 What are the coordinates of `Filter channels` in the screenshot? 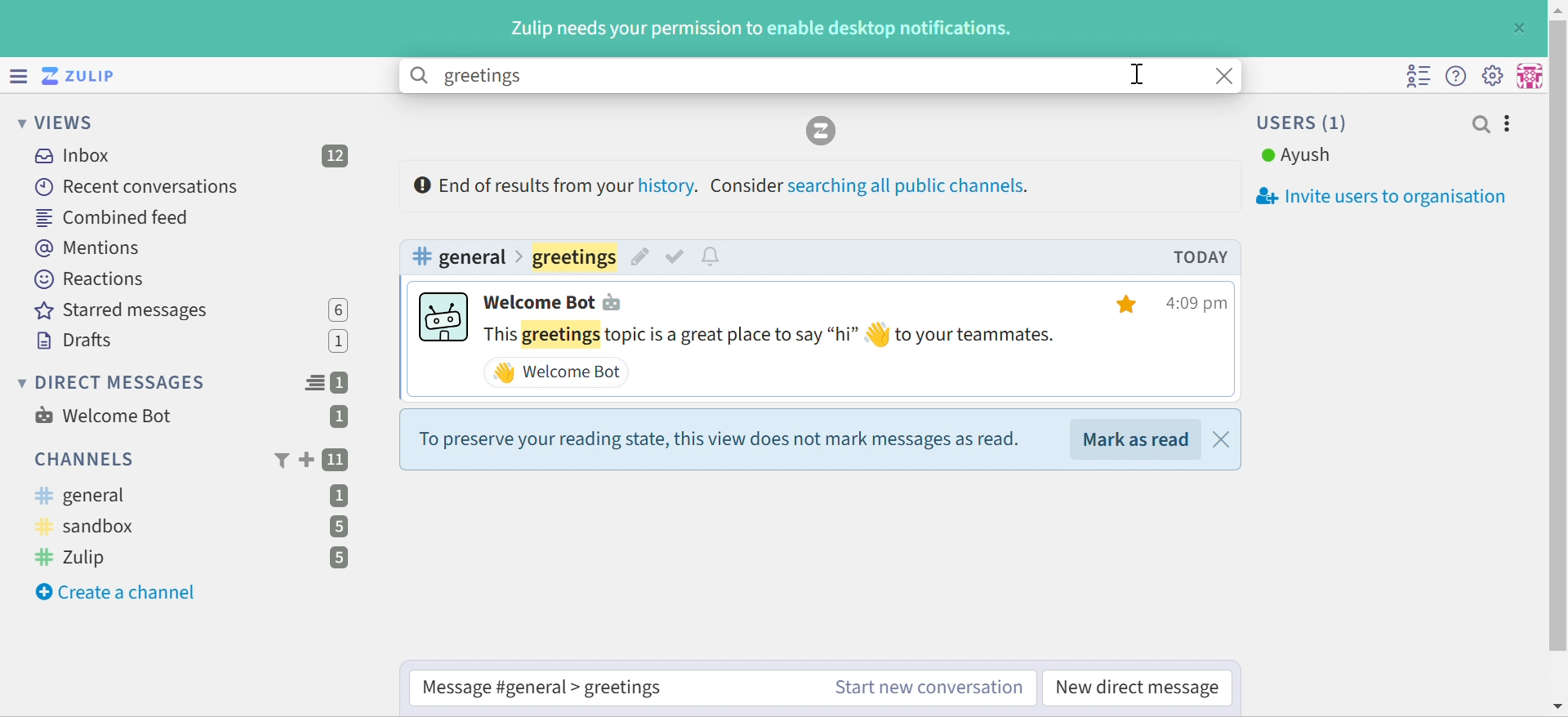 It's located at (280, 461).